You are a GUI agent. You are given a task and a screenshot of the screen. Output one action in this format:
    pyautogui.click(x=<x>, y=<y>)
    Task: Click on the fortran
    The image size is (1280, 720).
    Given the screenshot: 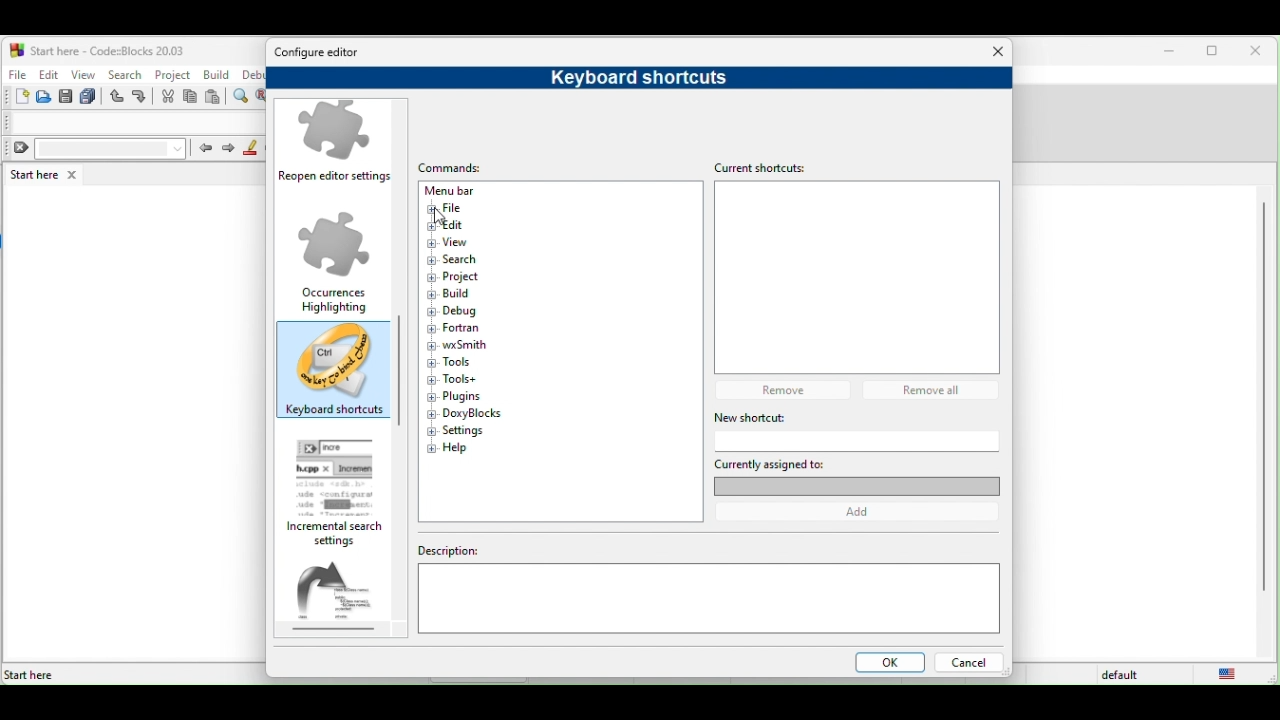 What is the action you would take?
    pyautogui.click(x=456, y=328)
    